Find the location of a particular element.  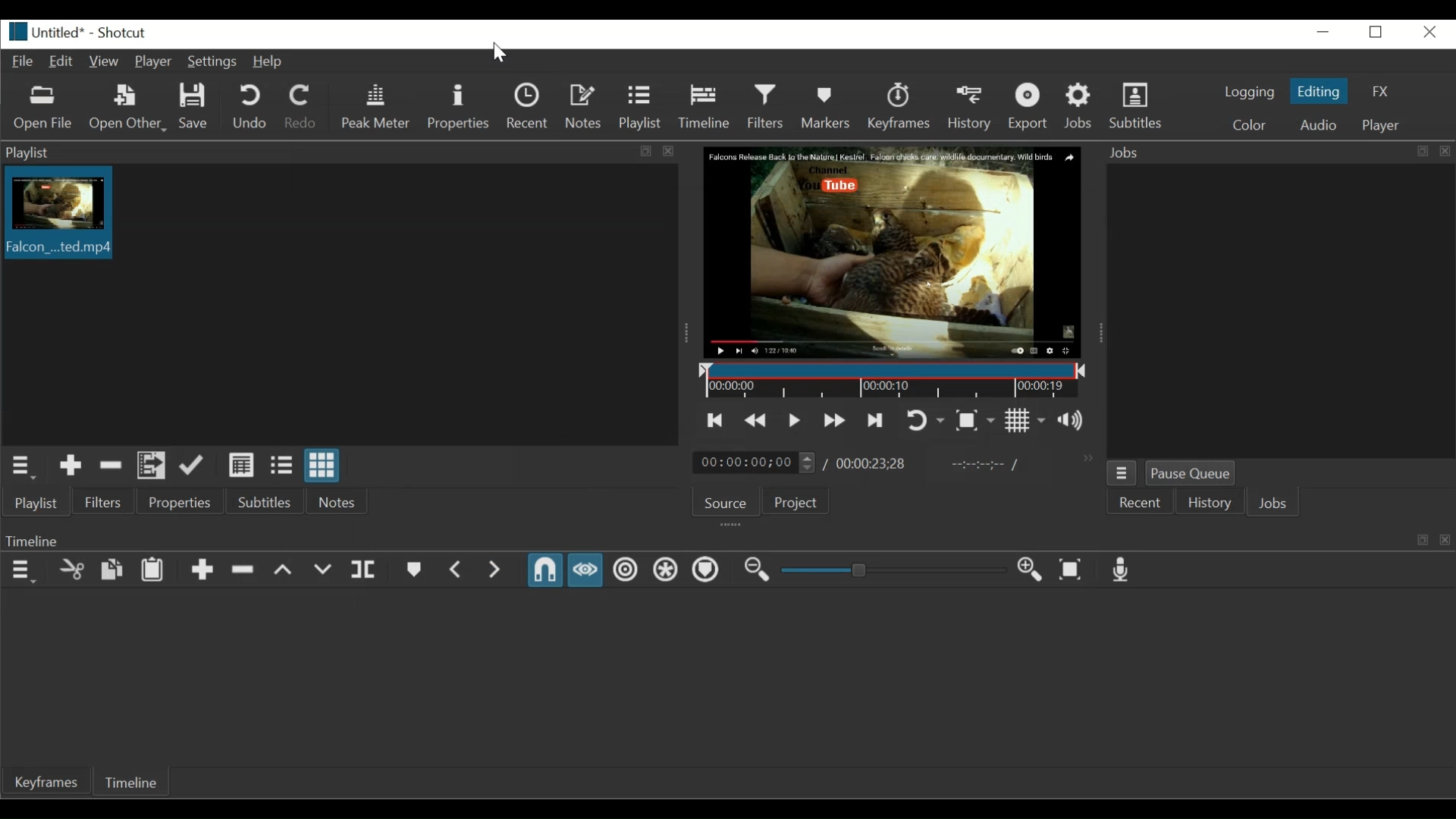

View as detail is located at coordinates (239, 465).